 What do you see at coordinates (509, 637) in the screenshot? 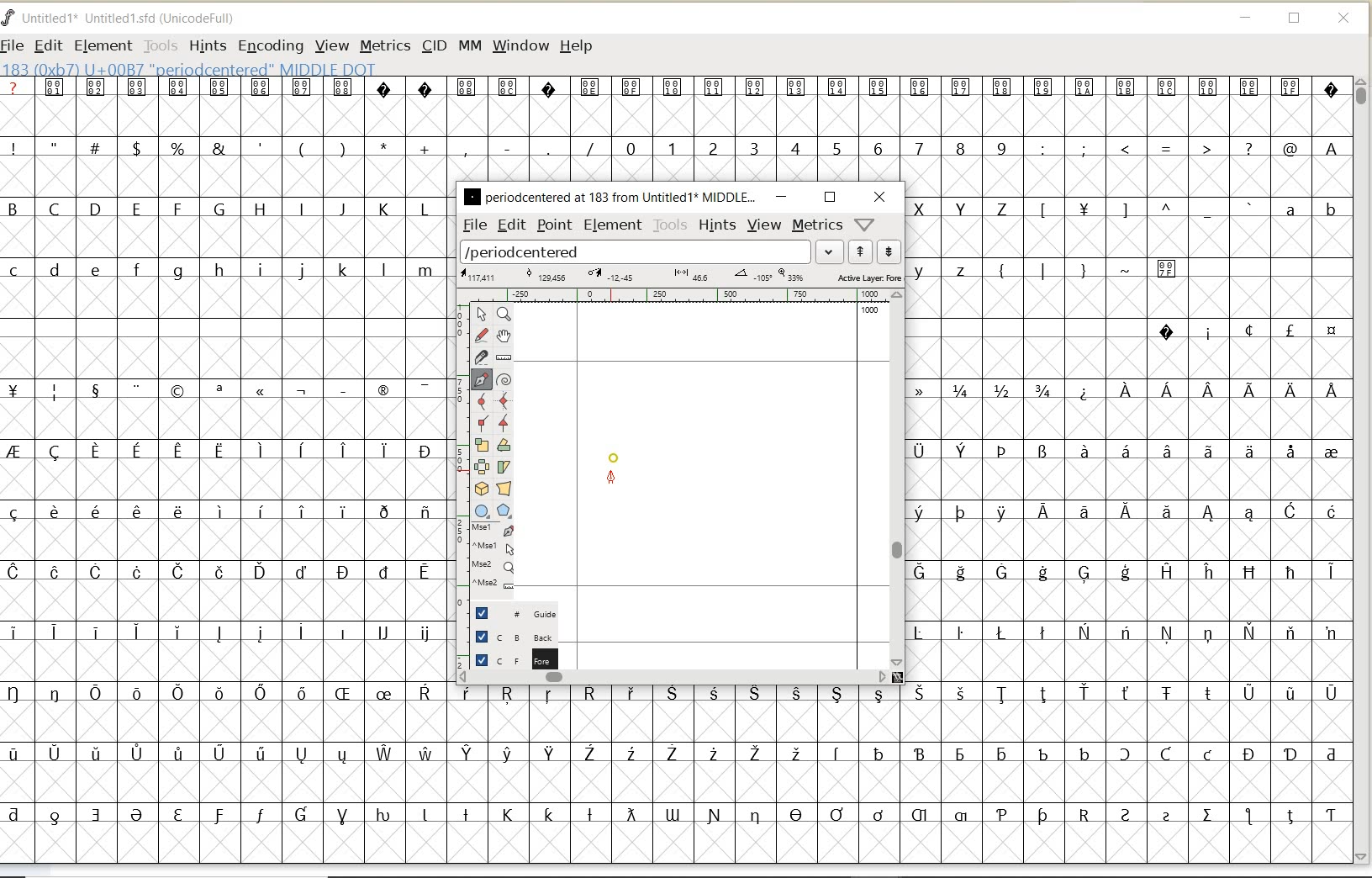
I see `background` at bounding box center [509, 637].